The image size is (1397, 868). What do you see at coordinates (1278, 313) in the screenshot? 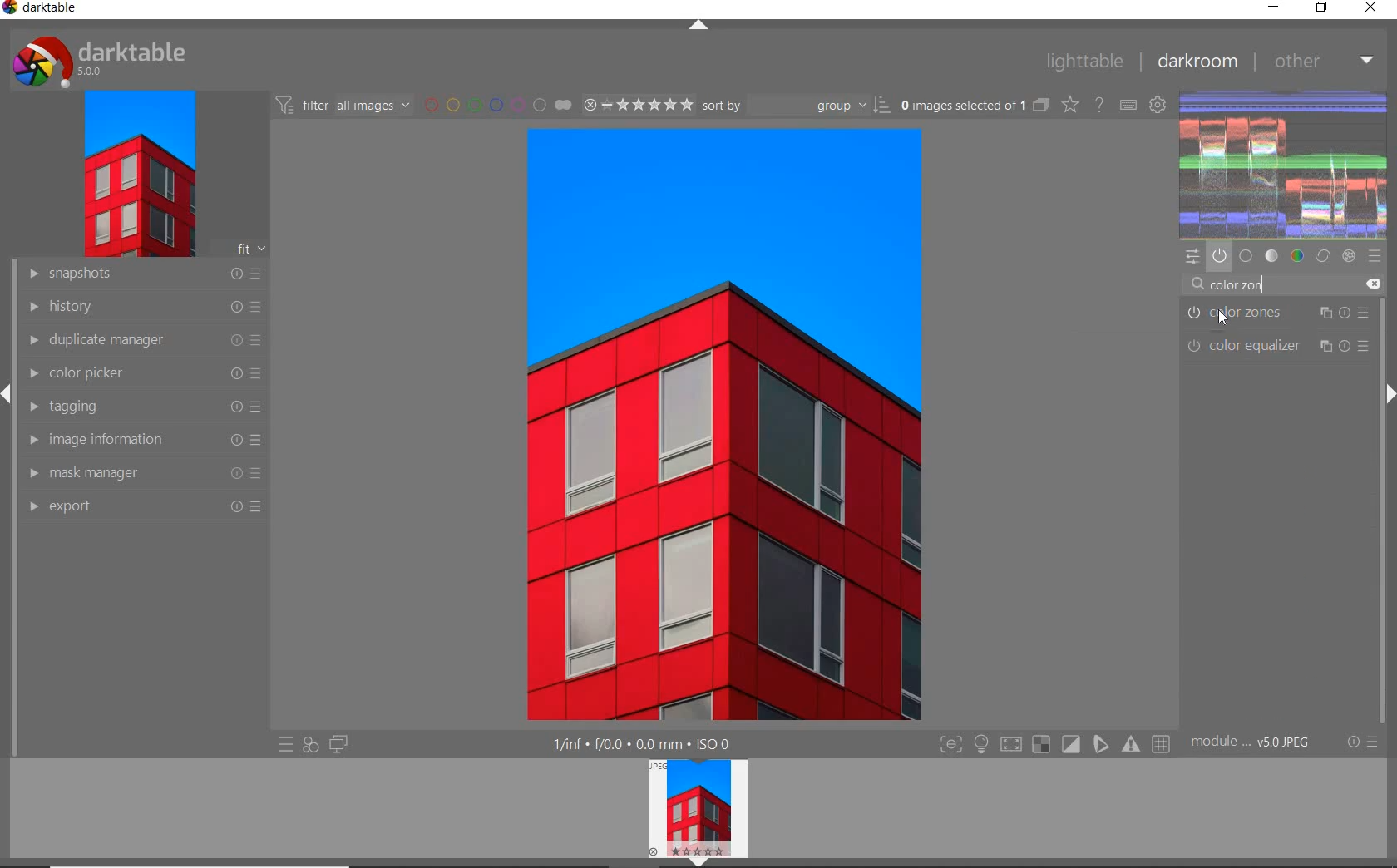
I see `COLOR ZONES` at bounding box center [1278, 313].